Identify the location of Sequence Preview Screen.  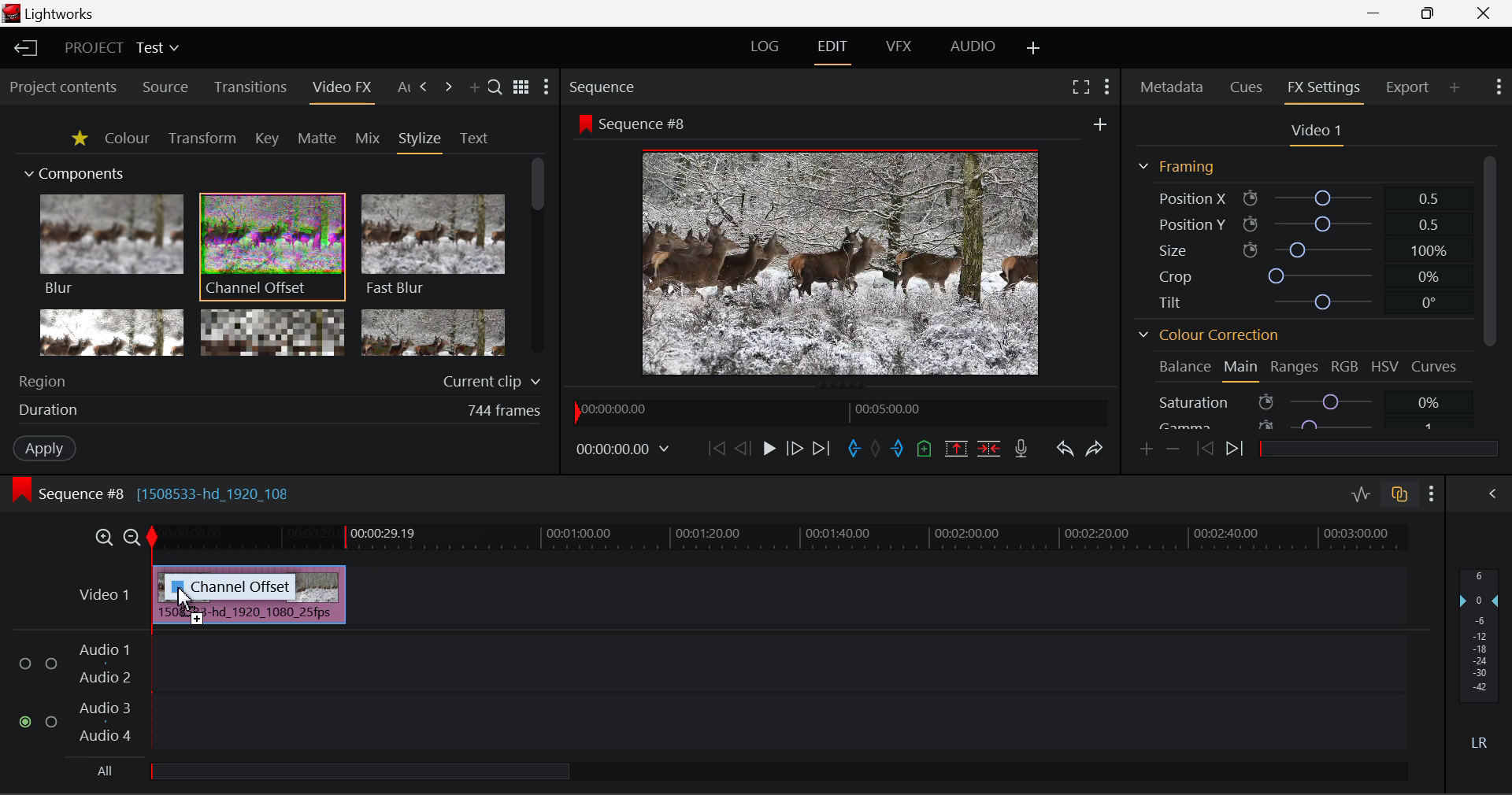
(842, 244).